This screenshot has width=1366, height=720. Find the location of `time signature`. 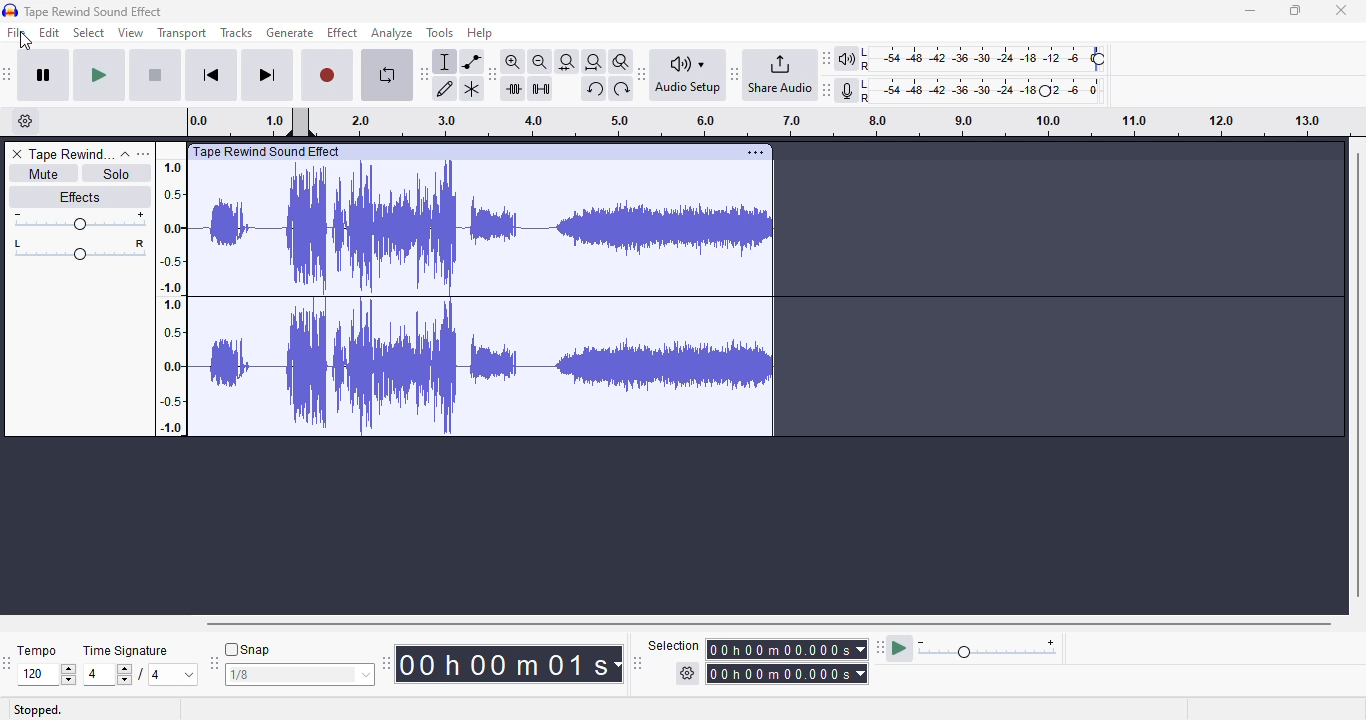

time signature is located at coordinates (143, 666).